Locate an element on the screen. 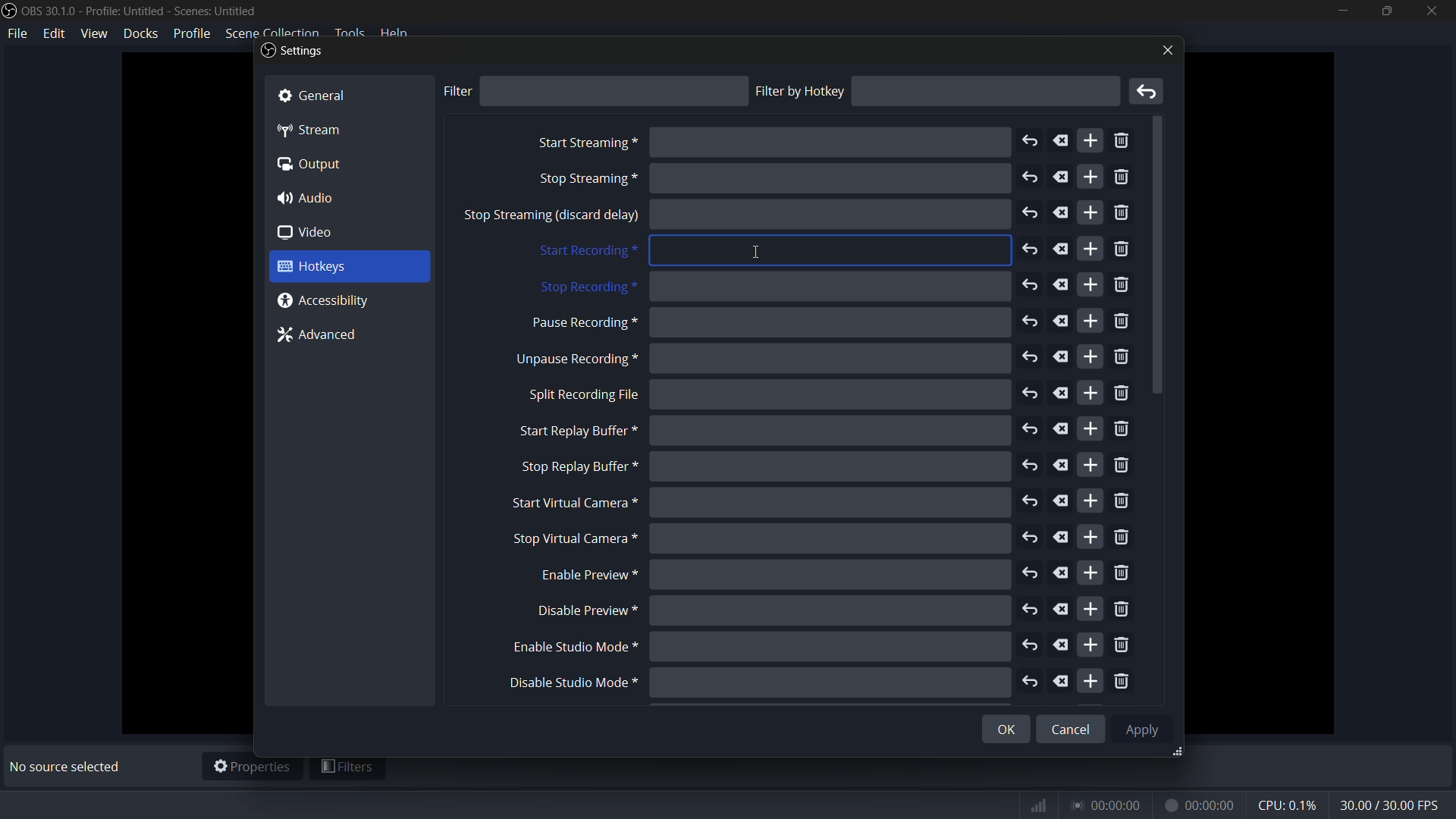 The height and width of the screenshot is (819, 1456). delete is located at coordinates (1062, 394).